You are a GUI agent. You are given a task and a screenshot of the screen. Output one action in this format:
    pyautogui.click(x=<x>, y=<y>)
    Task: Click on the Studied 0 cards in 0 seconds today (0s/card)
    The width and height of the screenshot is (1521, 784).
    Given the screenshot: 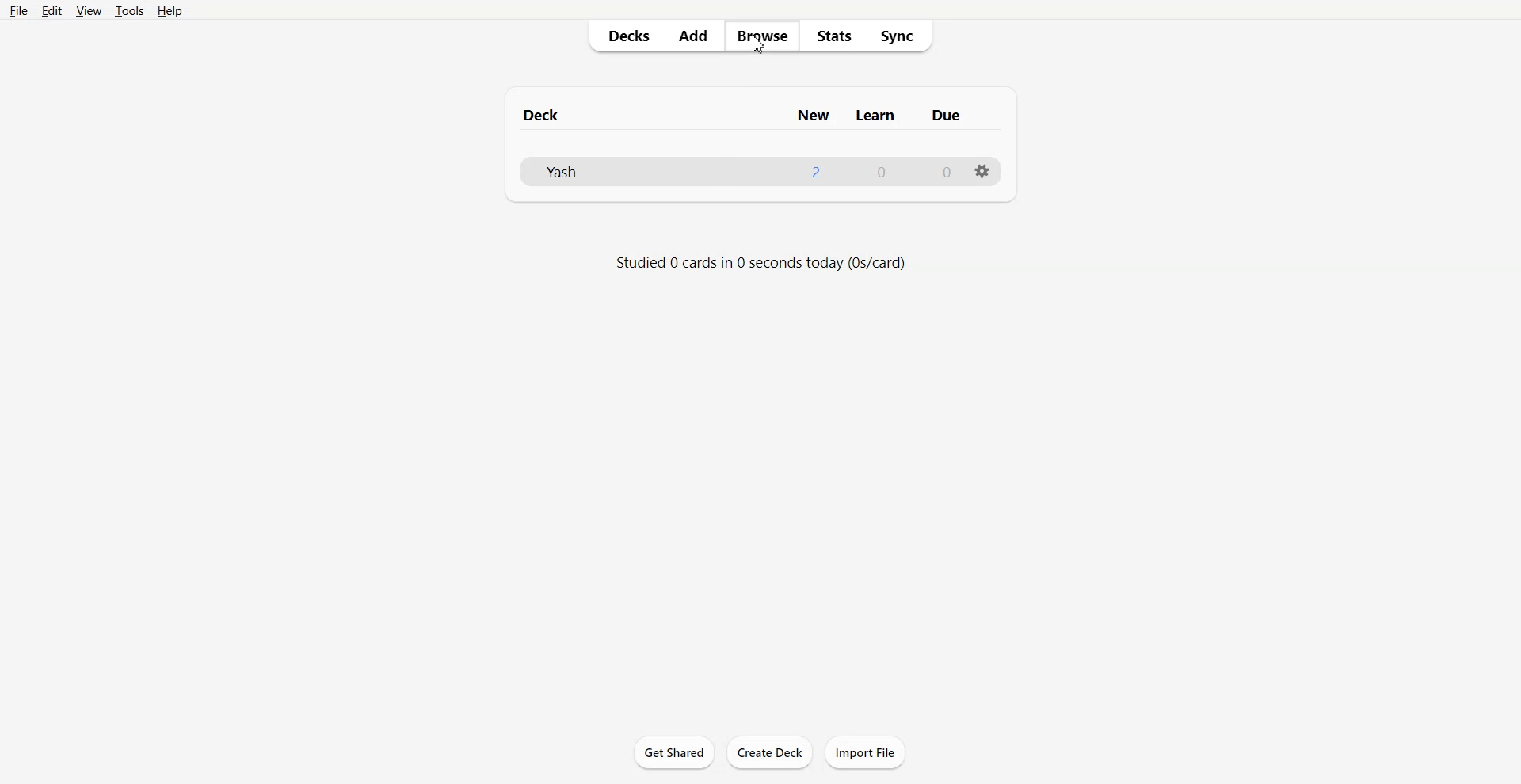 What is the action you would take?
    pyautogui.click(x=766, y=266)
    